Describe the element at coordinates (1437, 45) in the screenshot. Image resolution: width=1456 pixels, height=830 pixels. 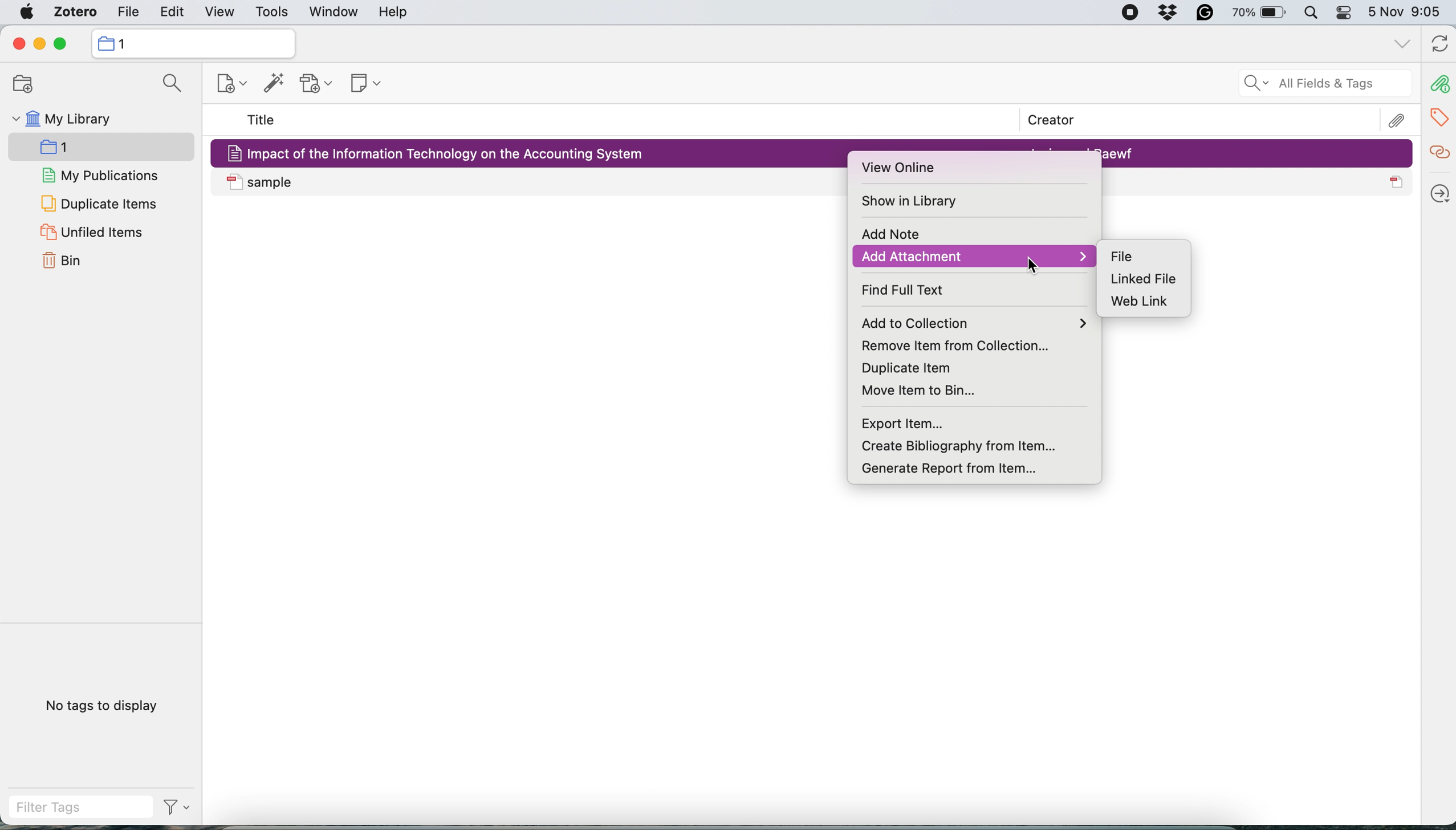
I see `refresh` at that location.